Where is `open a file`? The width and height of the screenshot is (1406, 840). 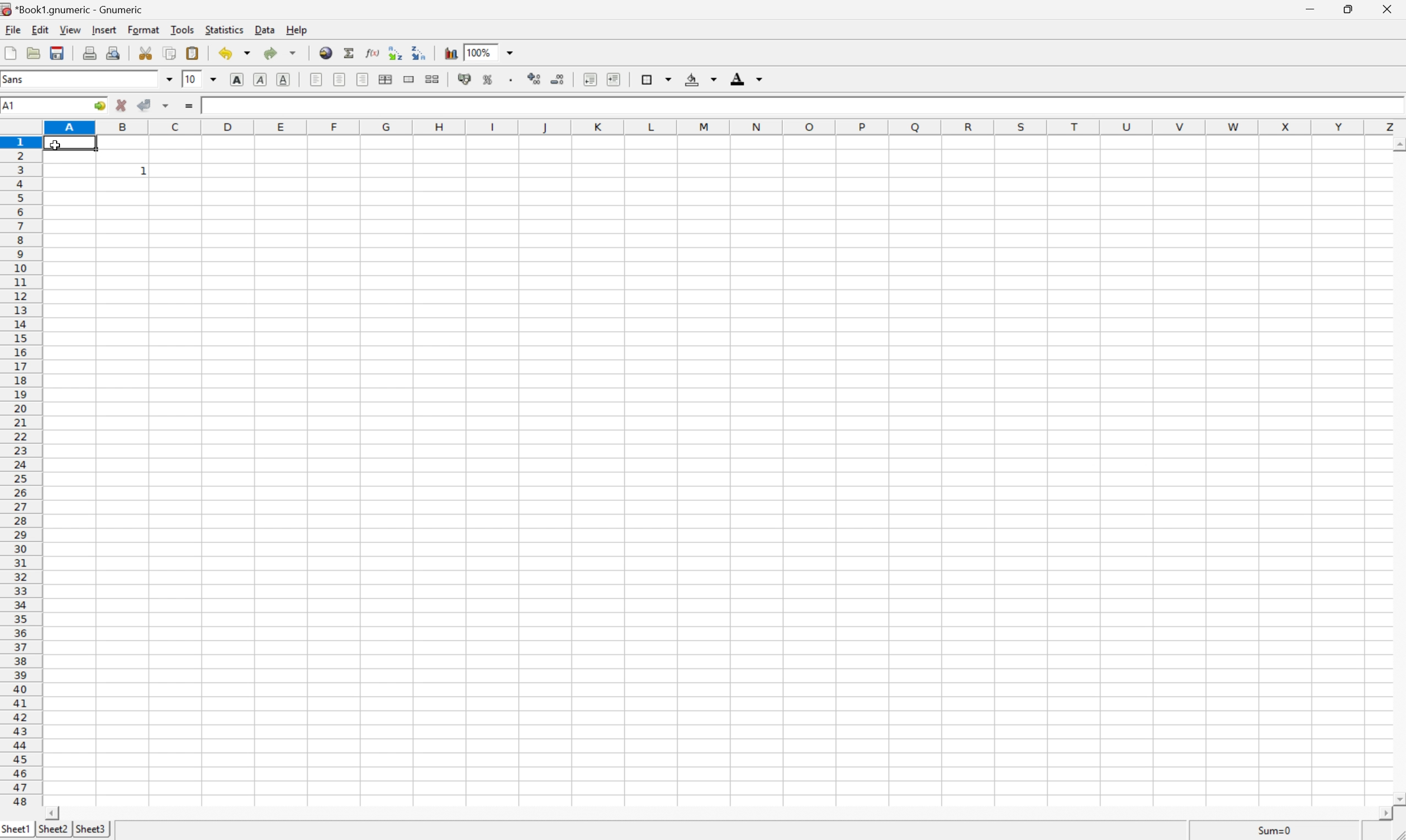 open a file is located at coordinates (32, 54).